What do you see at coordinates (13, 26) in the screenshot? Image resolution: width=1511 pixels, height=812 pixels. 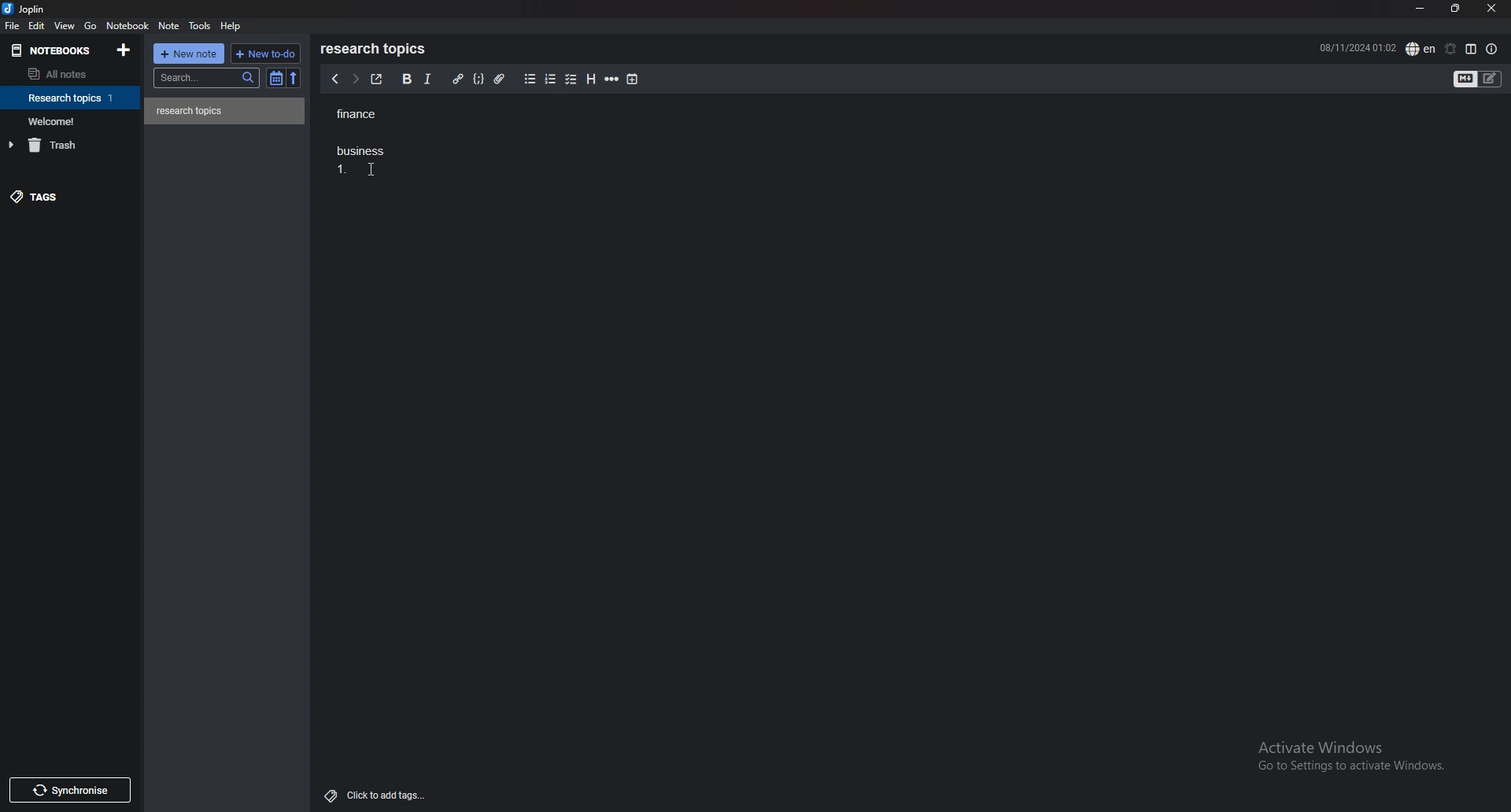 I see `file` at bounding box center [13, 26].